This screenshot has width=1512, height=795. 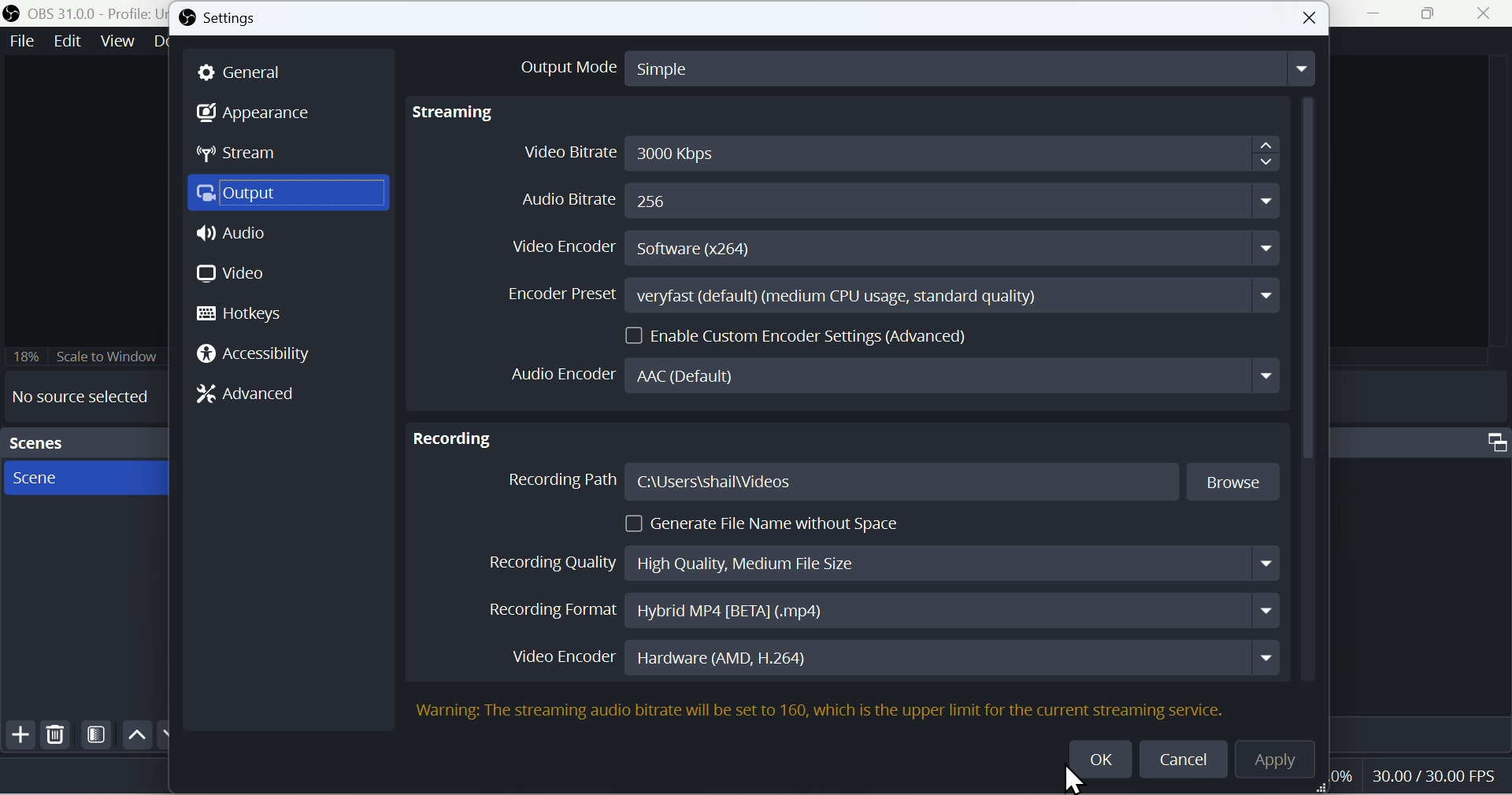 What do you see at coordinates (1429, 775) in the screenshot?
I see `30.00/30.00 FPS` at bounding box center [1429, 775].